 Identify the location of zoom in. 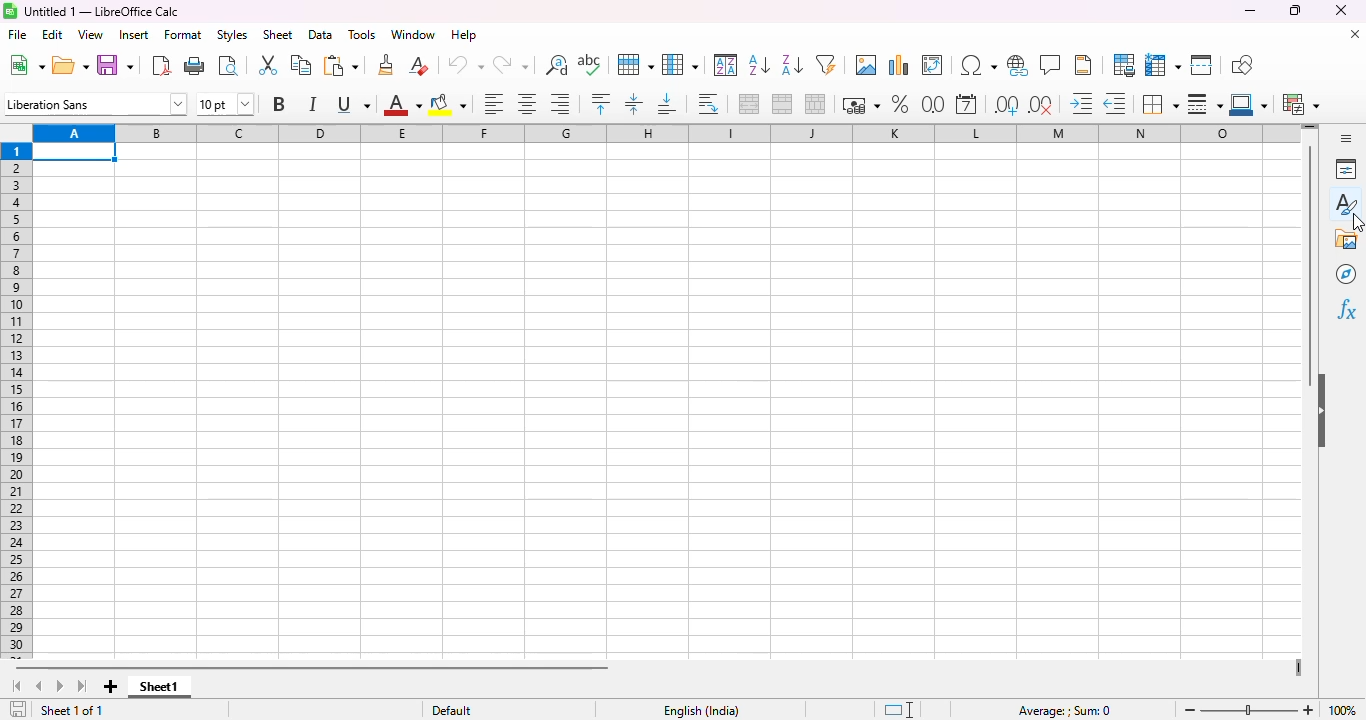
(1308, 710).